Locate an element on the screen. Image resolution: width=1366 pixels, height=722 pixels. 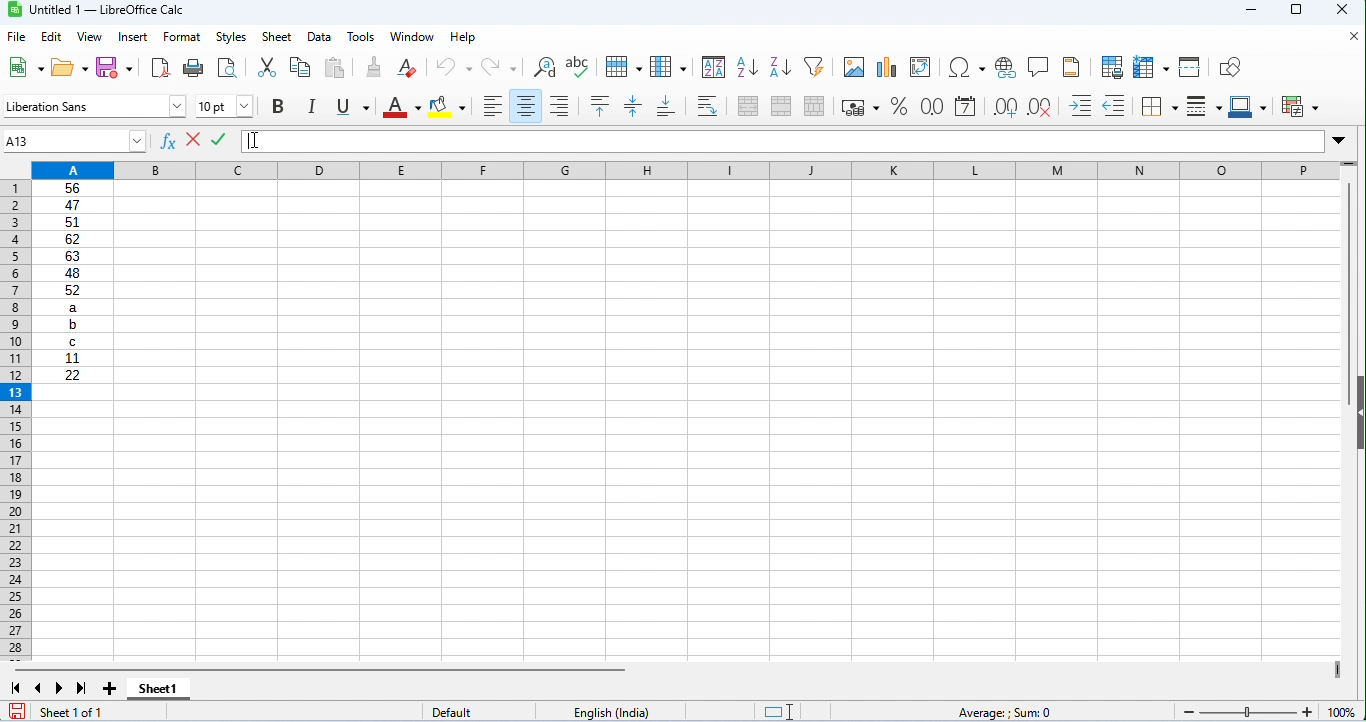
merge and center is located at coordinates (748, 106).